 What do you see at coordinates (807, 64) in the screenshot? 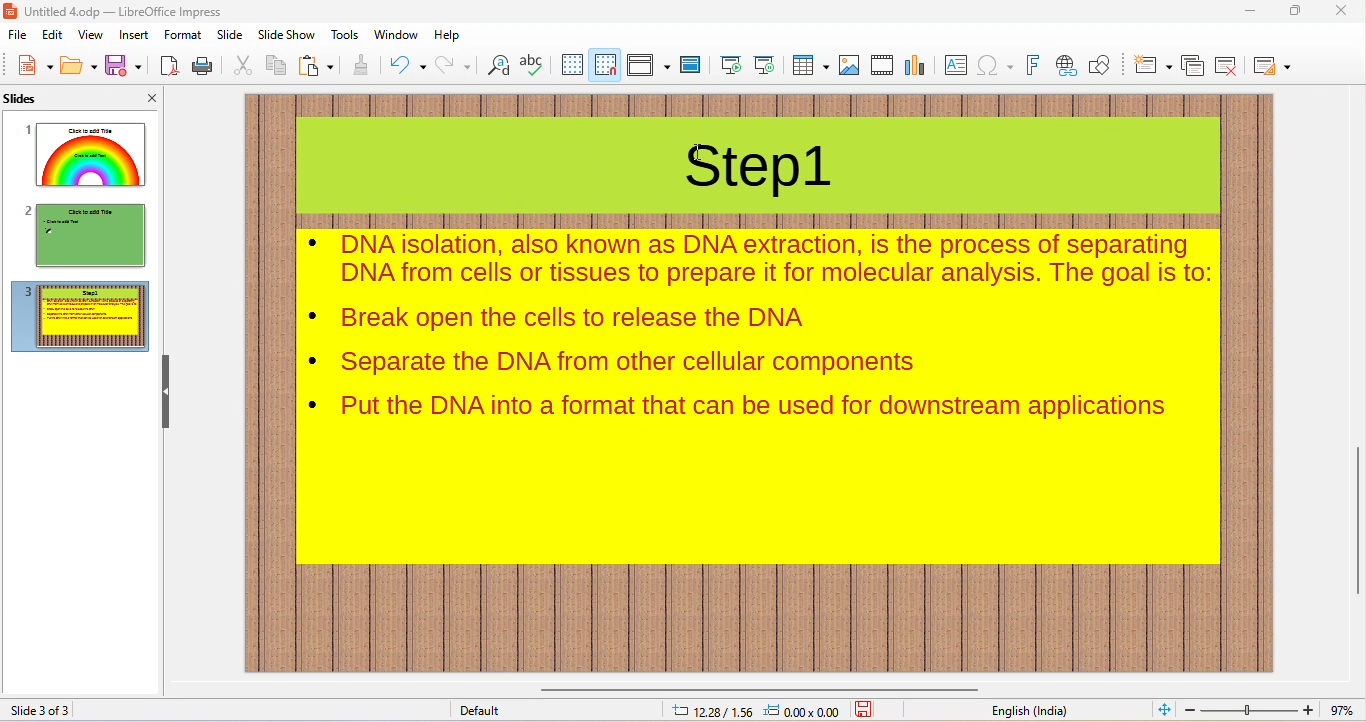
I see `table` at bounding box center [807, 64].